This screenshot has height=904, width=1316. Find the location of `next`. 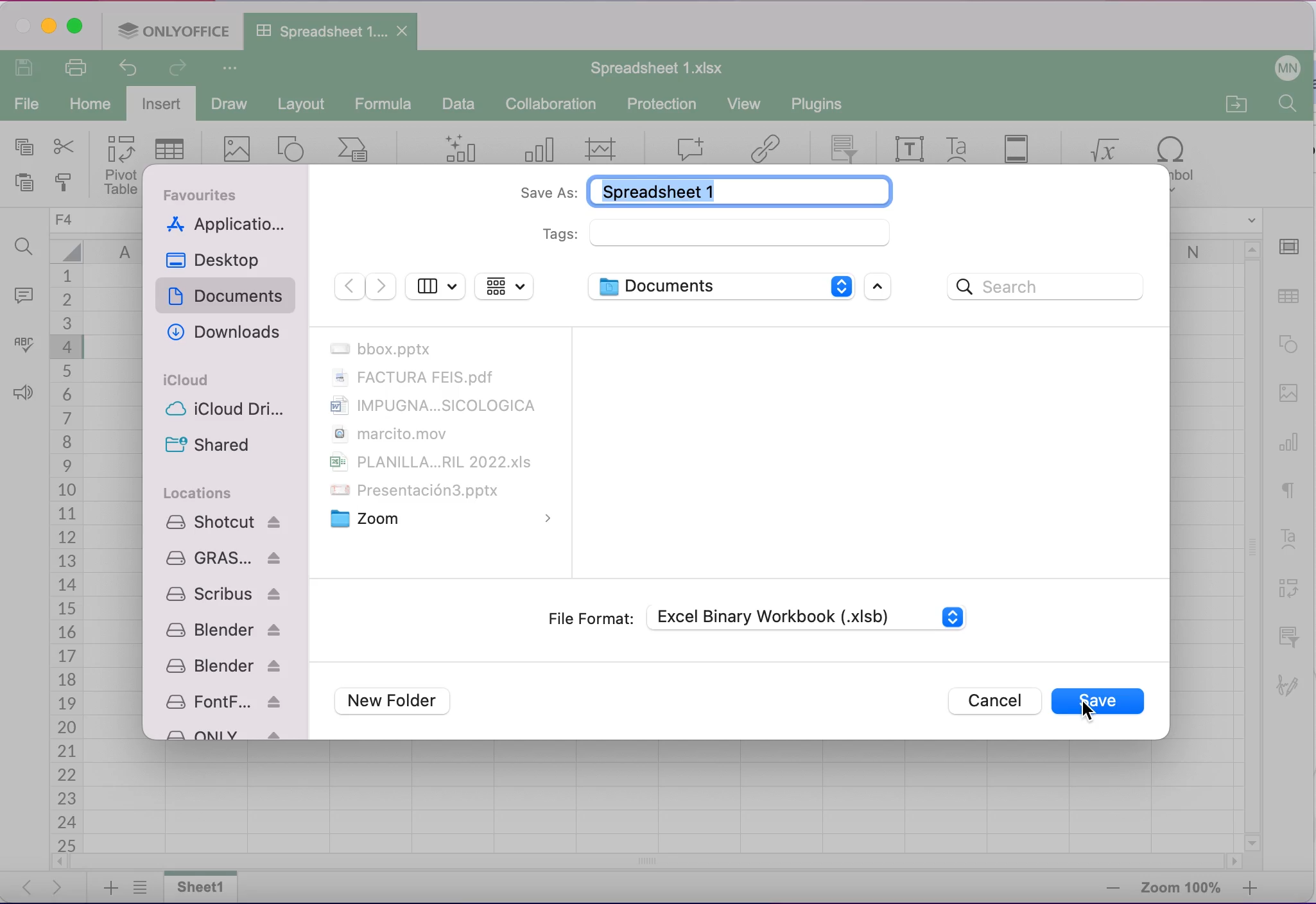

next is located at coordinates (381, 287).